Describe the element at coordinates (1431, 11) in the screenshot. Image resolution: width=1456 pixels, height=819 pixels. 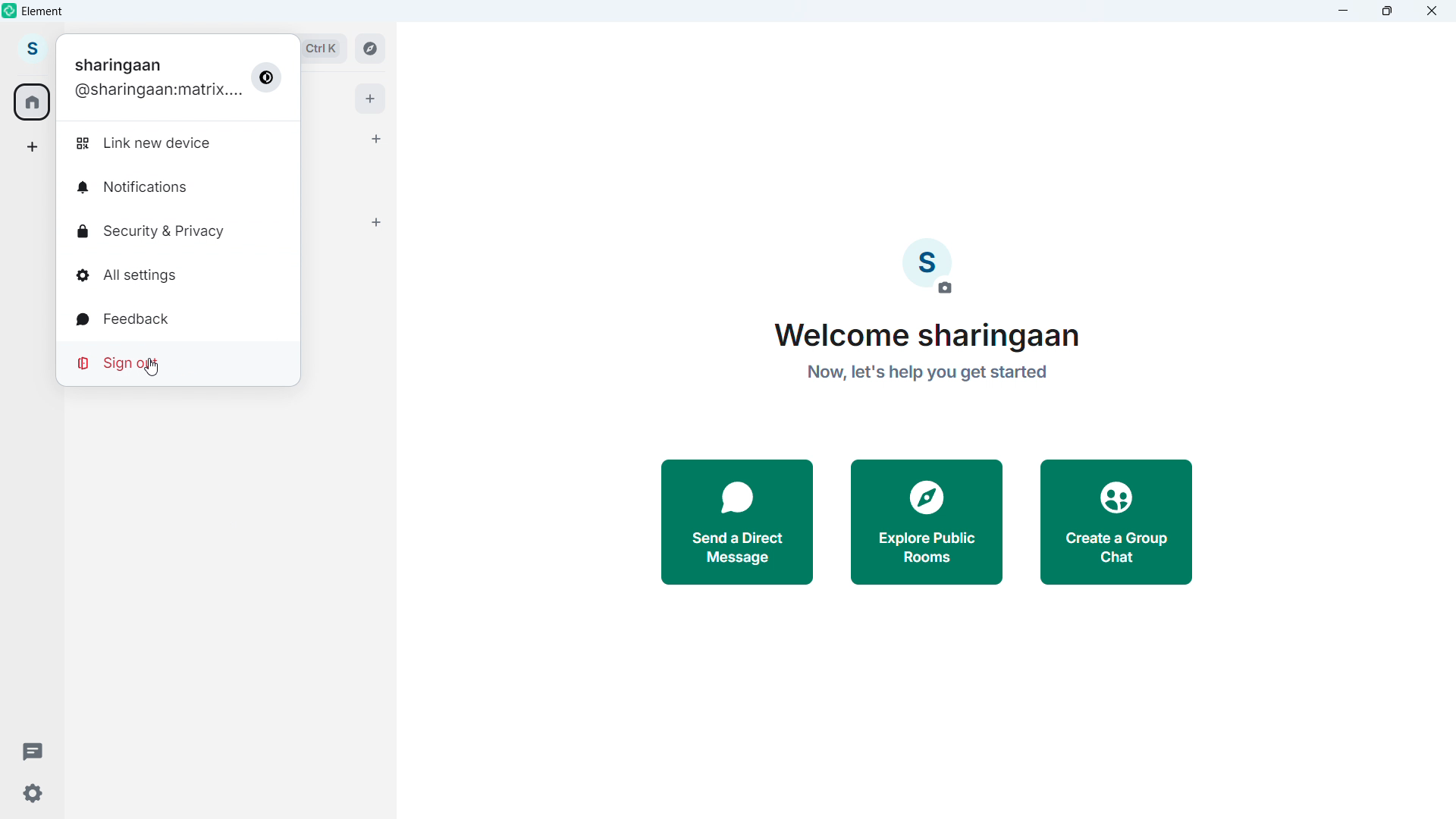
I see `close ` at that location.